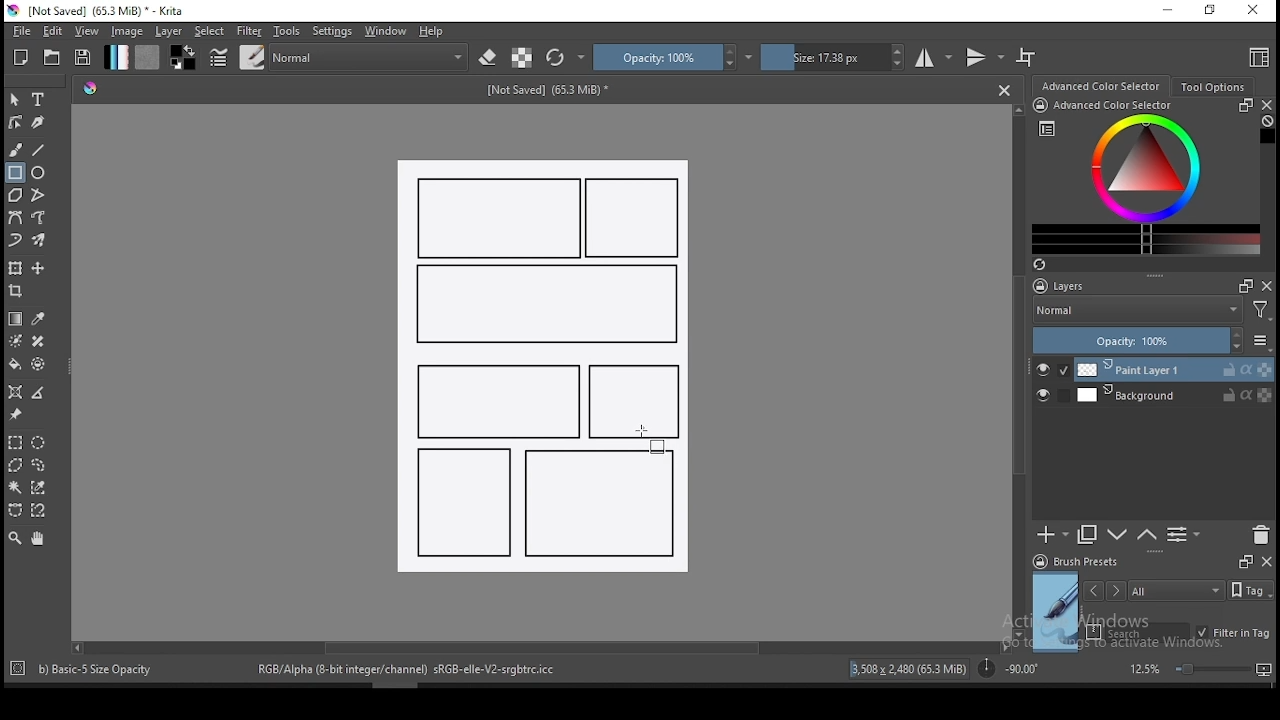 The width and height of the screenshot is (1280, 720). Describe the element at coordinates (1267, 123) in the screenshot. I see `Clear` at that location.